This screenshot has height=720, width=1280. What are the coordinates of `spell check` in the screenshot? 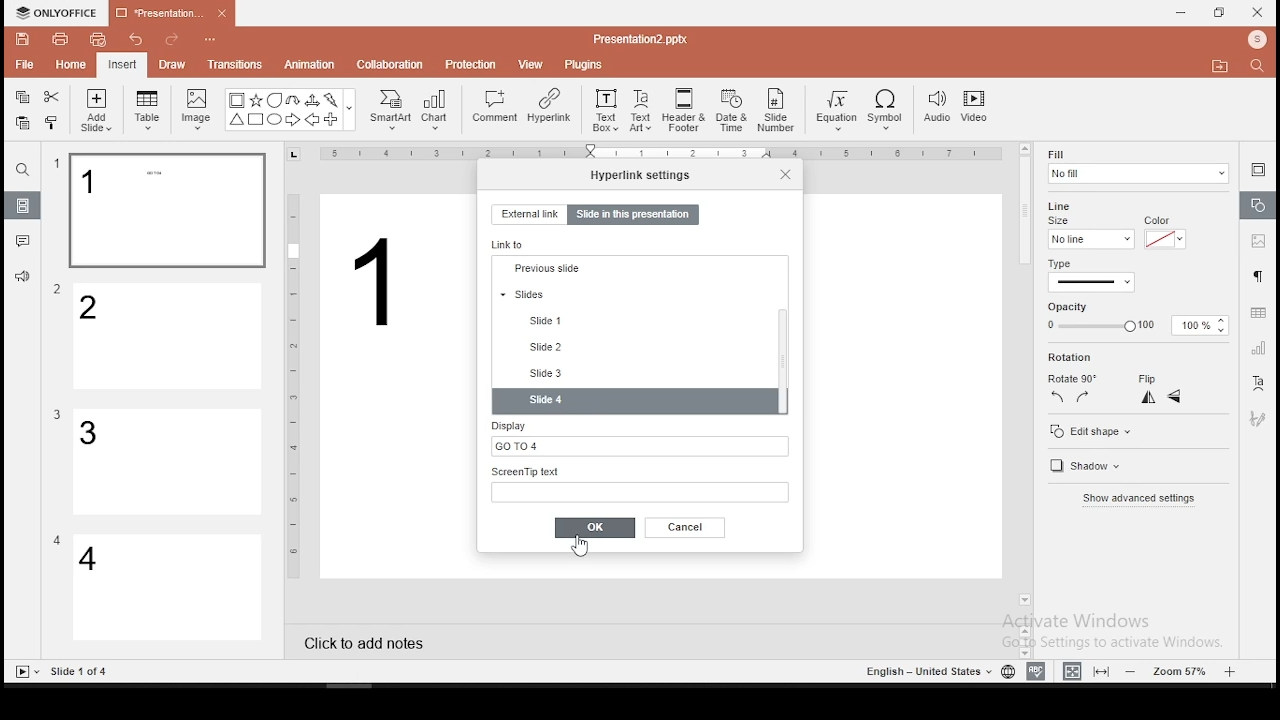 It's located at (1036, 671).